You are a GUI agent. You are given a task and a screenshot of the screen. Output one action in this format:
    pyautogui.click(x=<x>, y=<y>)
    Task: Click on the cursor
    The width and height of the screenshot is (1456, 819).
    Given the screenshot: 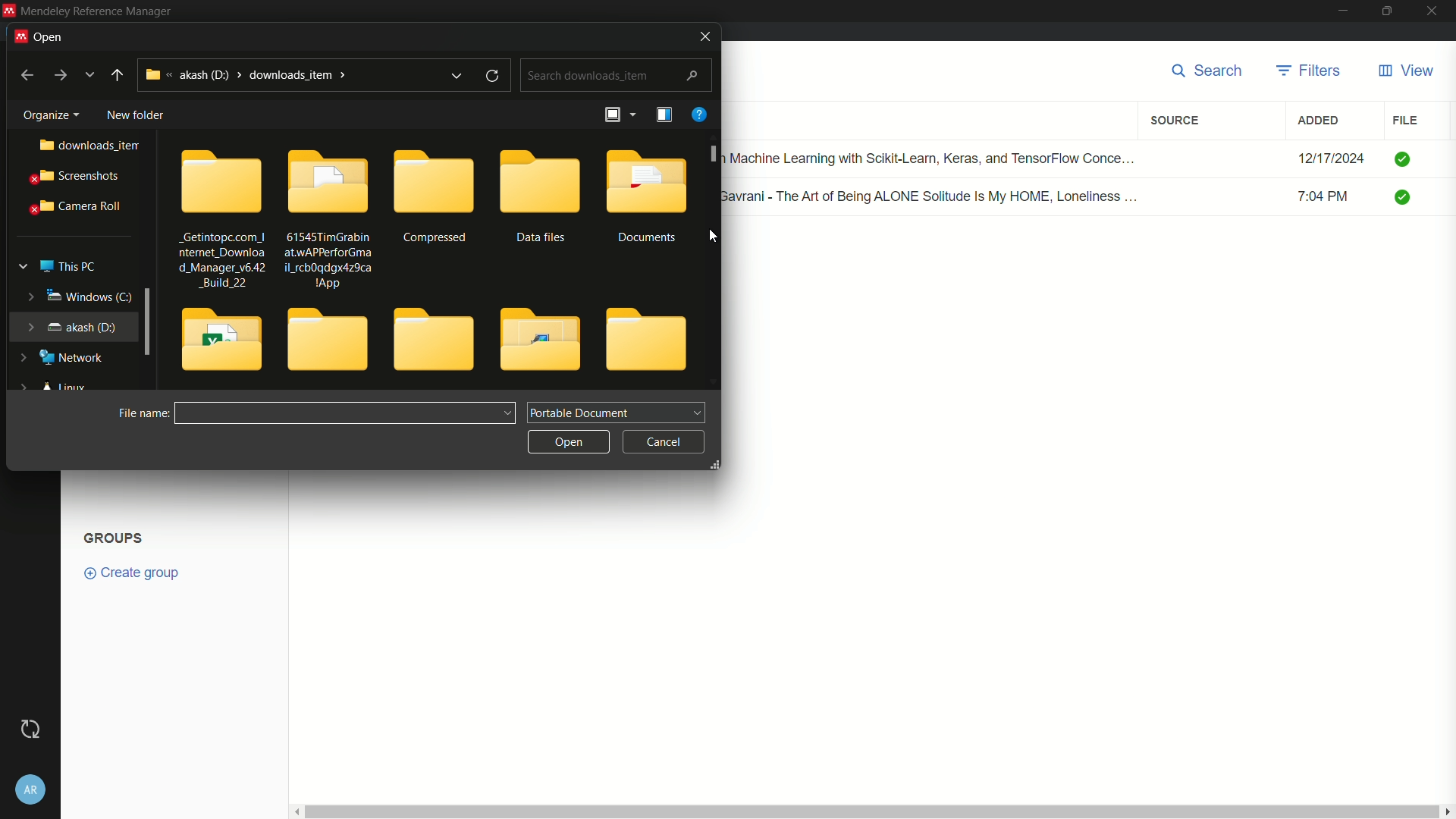 What is the action you would take?
    pyautogui.click(x=717, y=237)
    